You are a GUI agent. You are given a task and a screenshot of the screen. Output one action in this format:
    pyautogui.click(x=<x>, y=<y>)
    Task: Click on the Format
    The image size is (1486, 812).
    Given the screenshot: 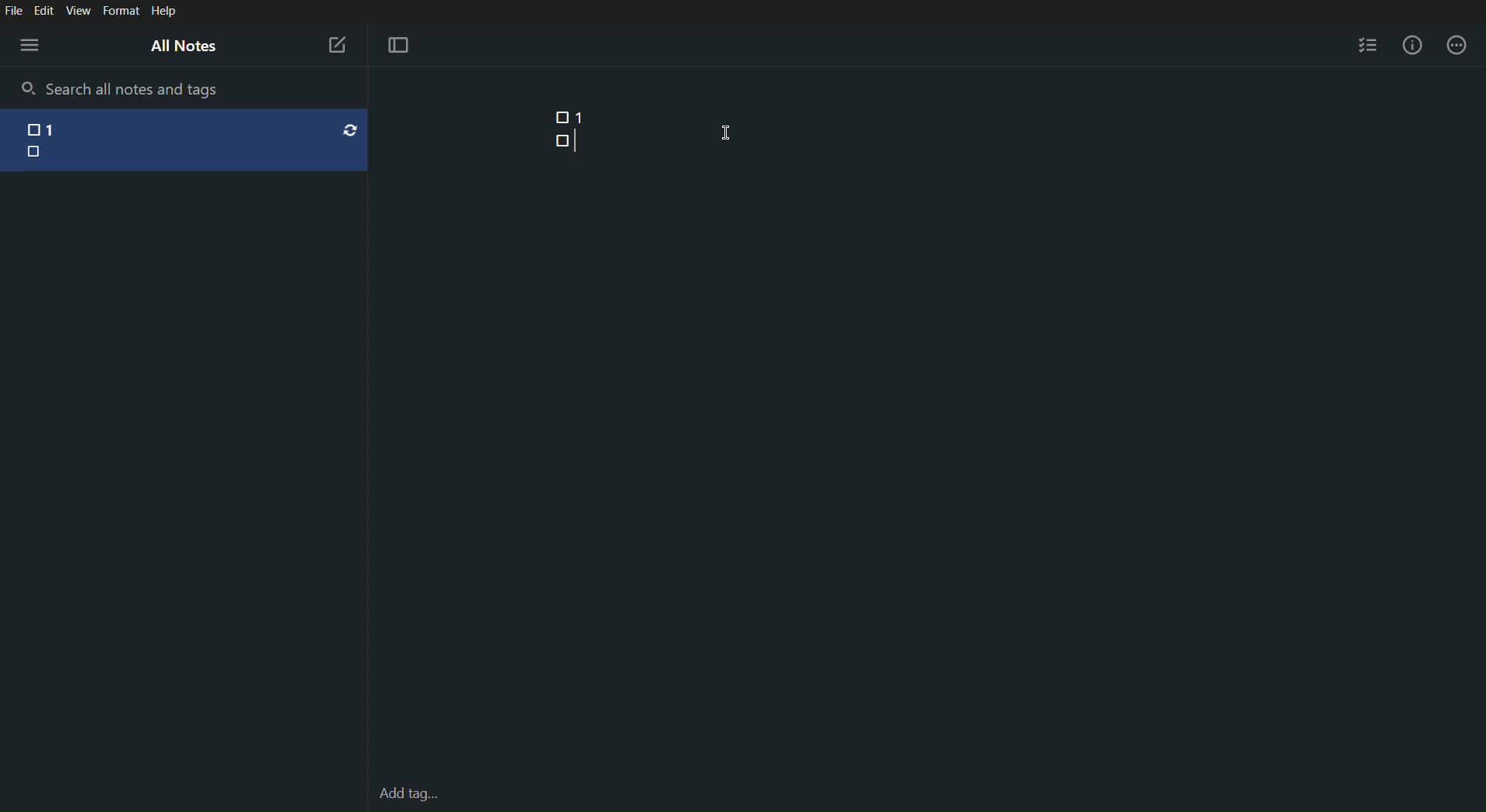 What is the action you would take?
    pyautogui.click(x=120, y=12)
    